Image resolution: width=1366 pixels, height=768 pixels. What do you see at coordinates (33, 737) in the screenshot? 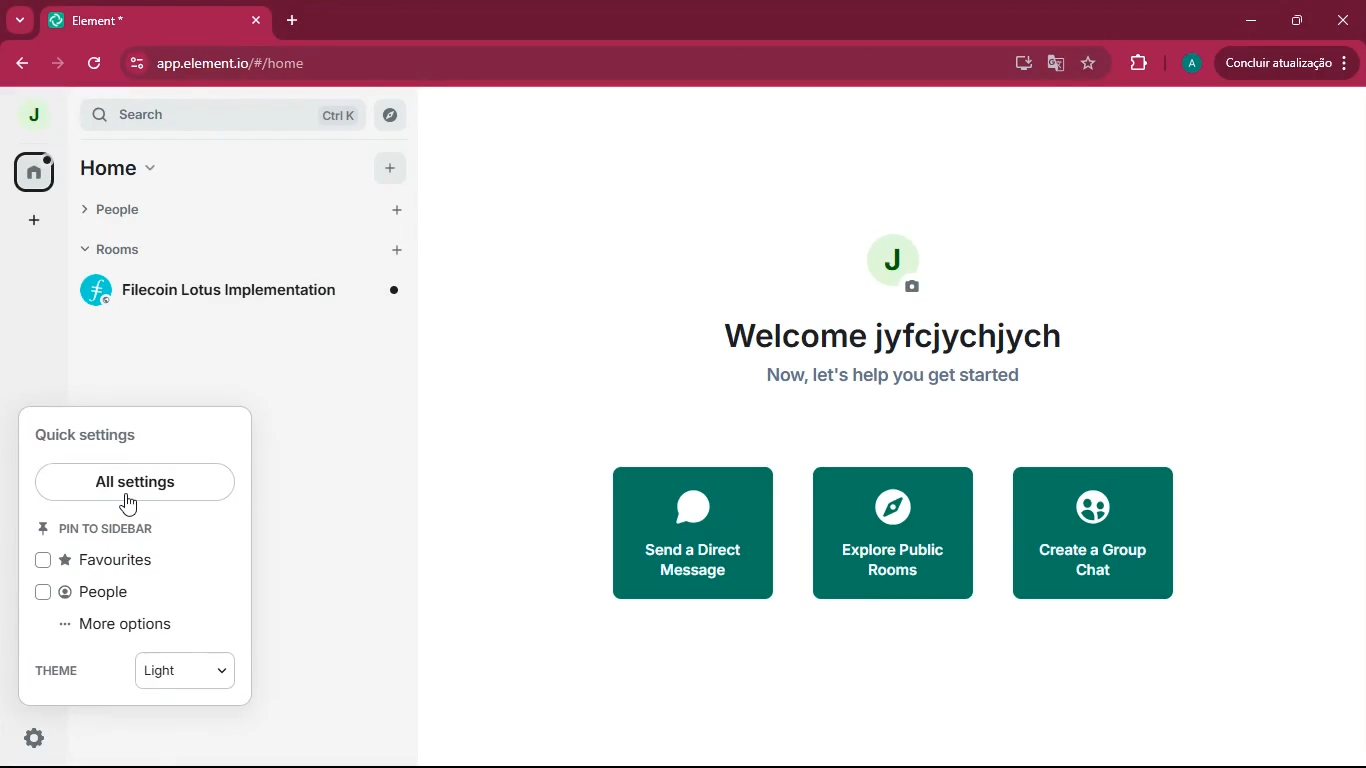
I see `settings` at bounding box center [33, 737].